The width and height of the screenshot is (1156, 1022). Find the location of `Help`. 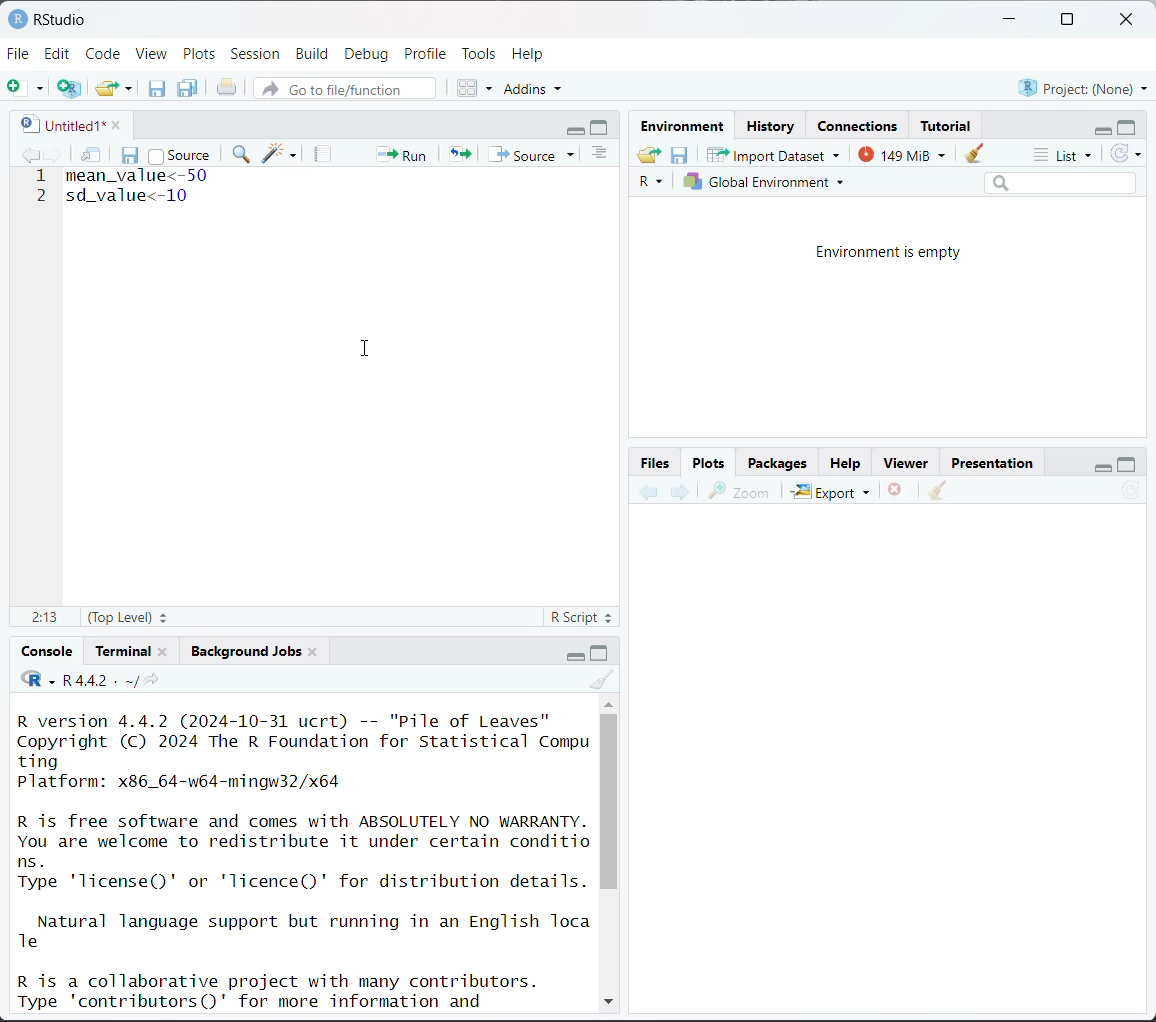

Help is located at coordinates (845, 465).